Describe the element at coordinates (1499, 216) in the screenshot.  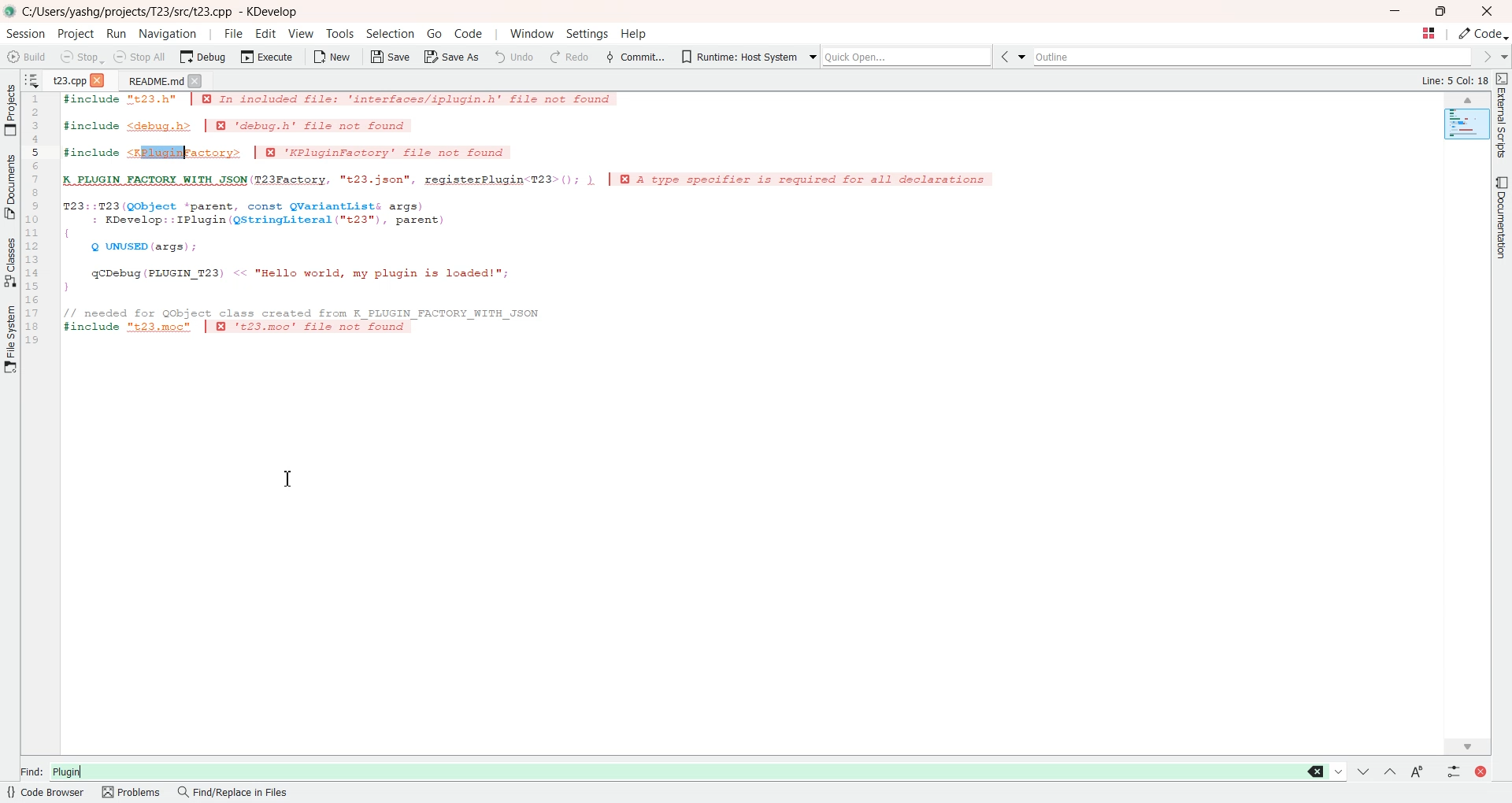
I see `Documention` at that location.